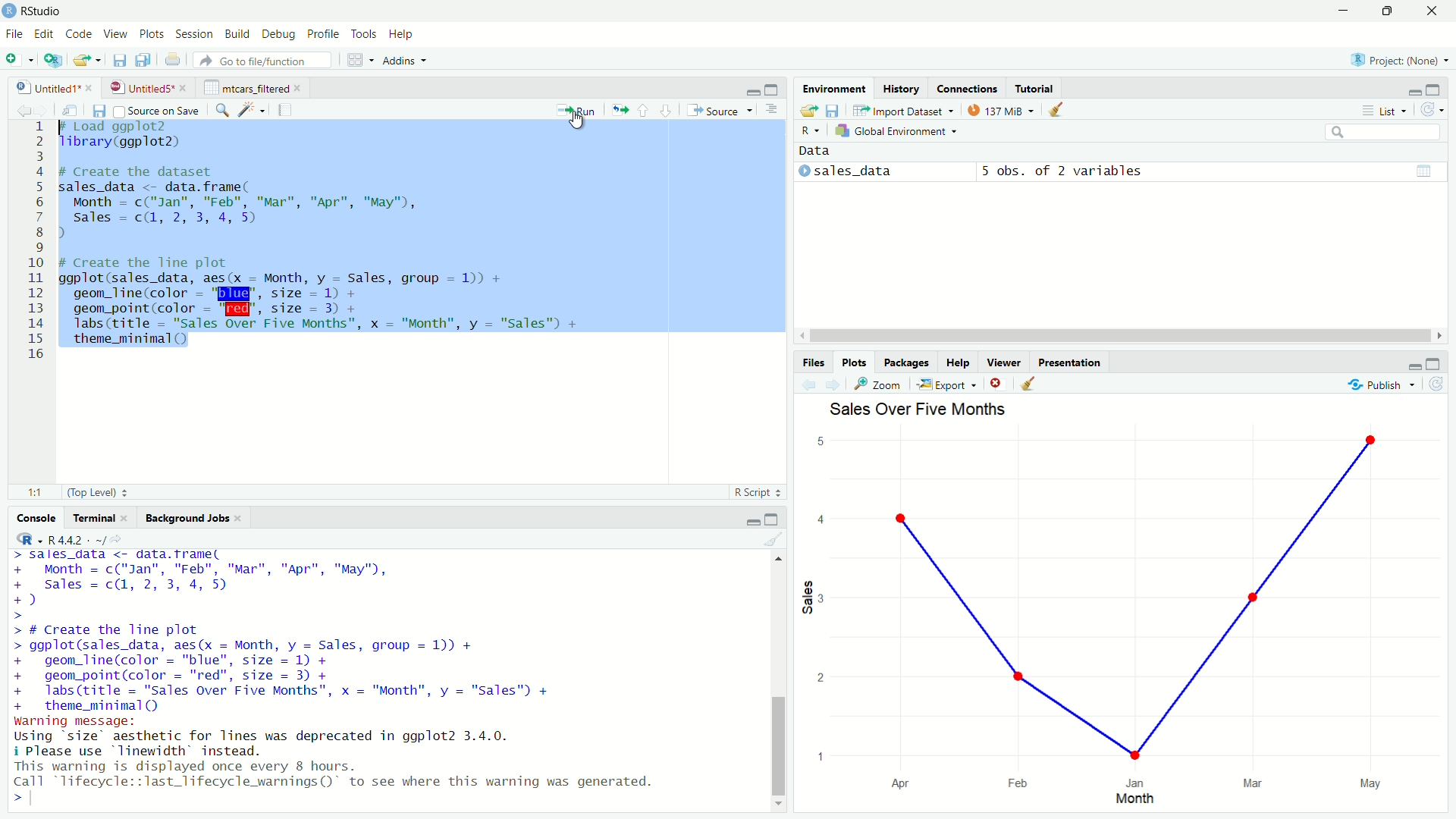  I want to click on print current file, so click(174, 61).